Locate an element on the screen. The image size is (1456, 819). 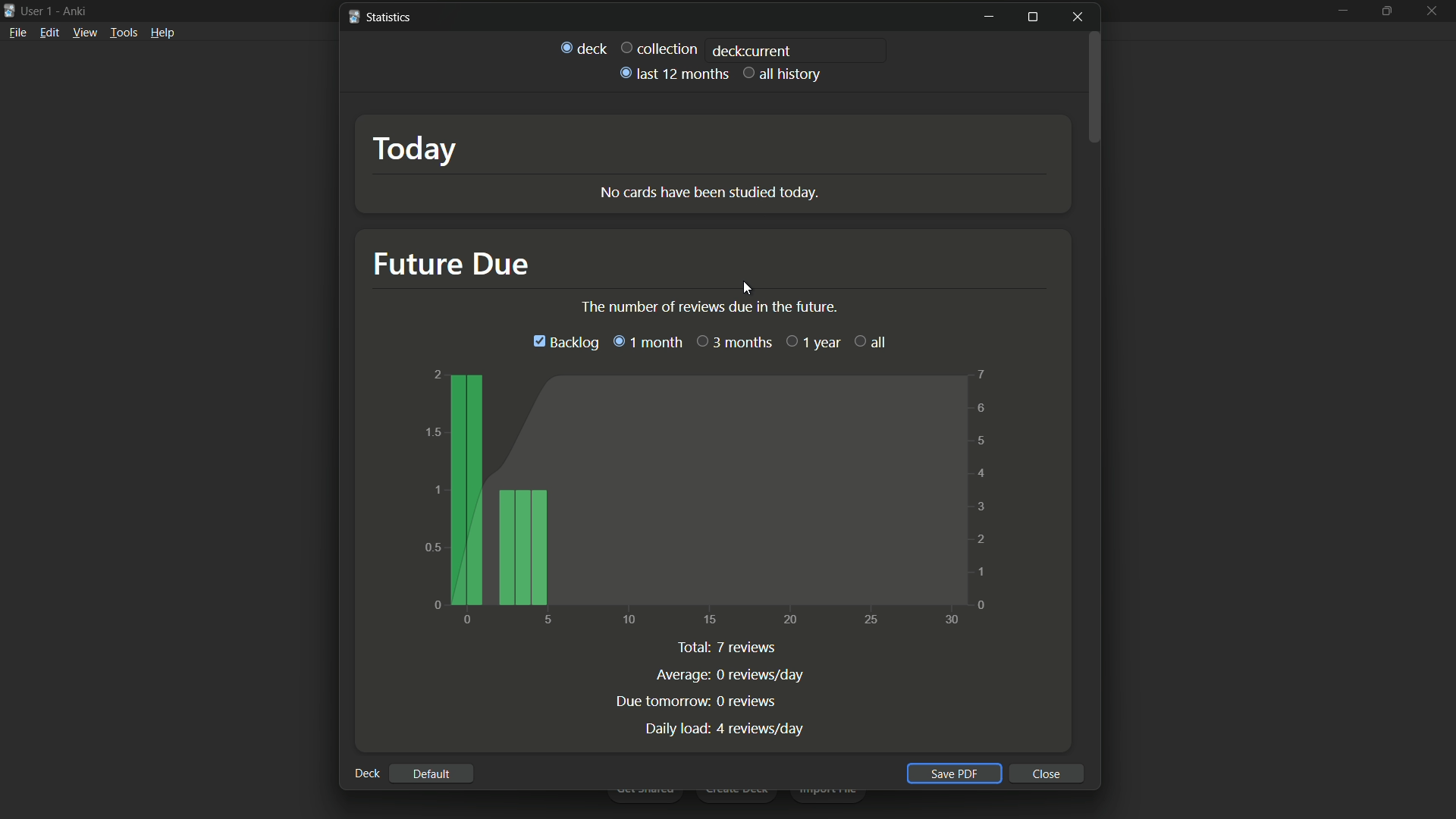
3 months is located at coordinates (735, 343).